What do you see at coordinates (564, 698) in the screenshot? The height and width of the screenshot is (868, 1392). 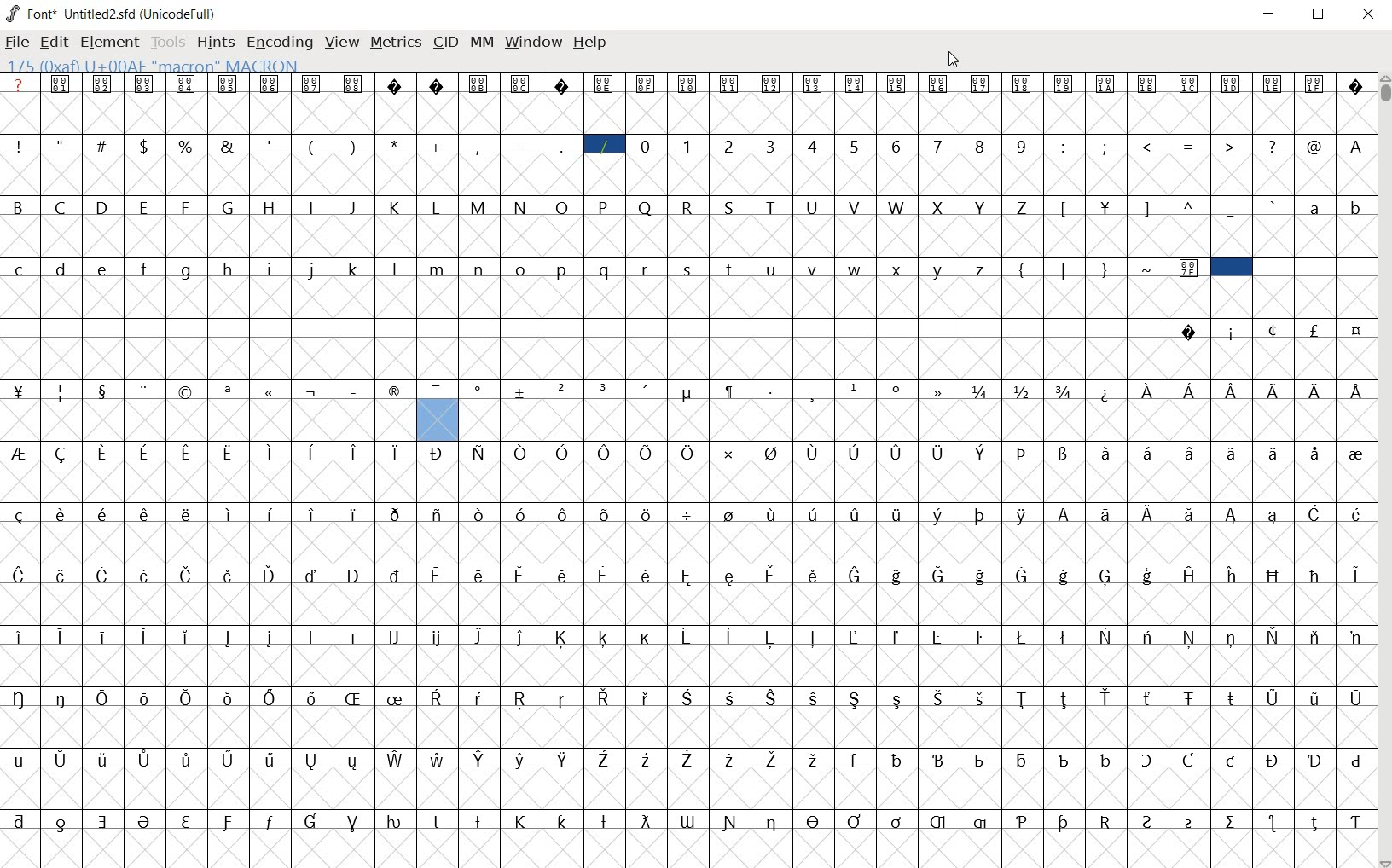 I see `Symbol` at bounding box center [564, 698].